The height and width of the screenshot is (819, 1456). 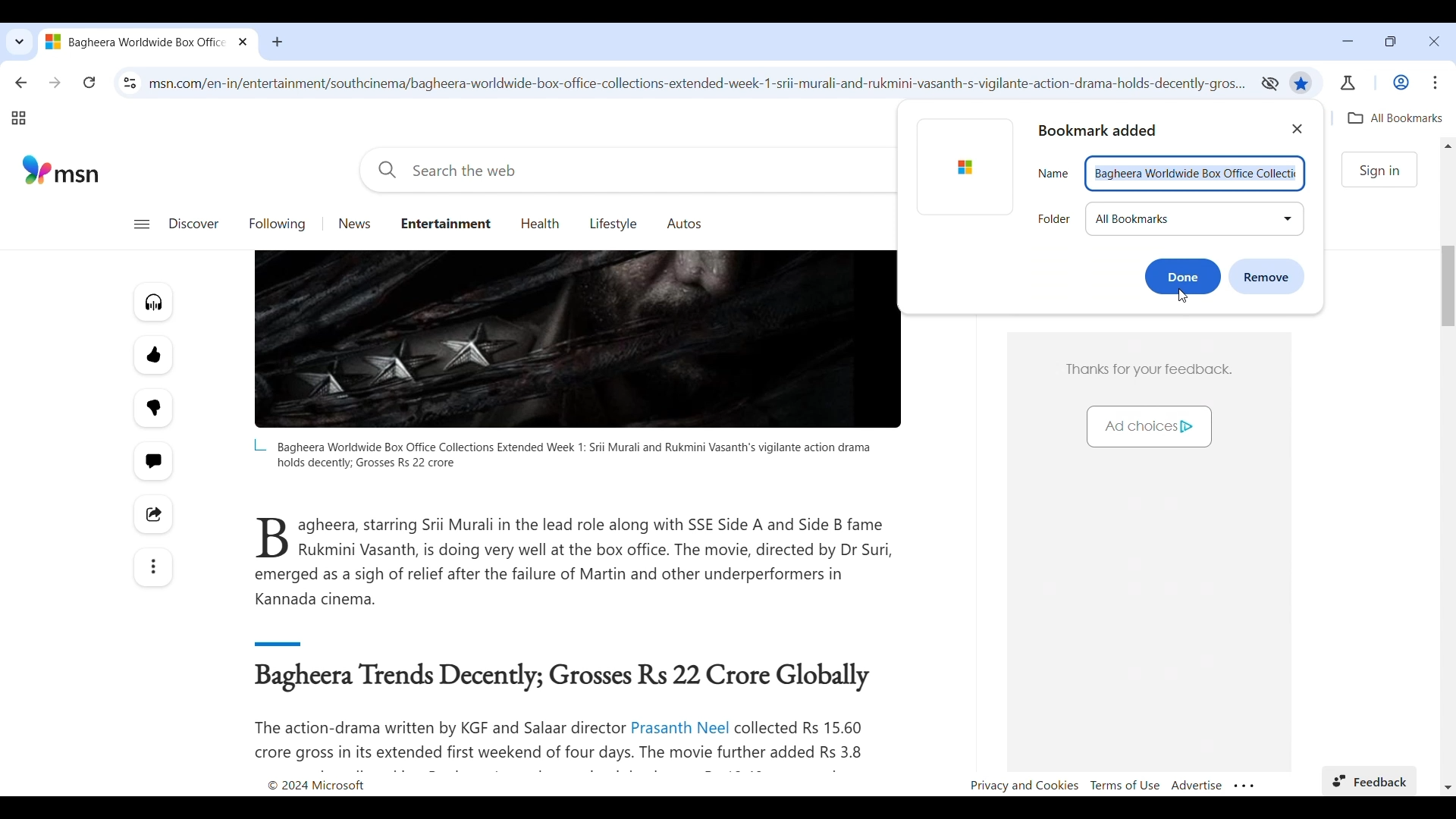 I want to click on Work, so click(x=1401, y=83).